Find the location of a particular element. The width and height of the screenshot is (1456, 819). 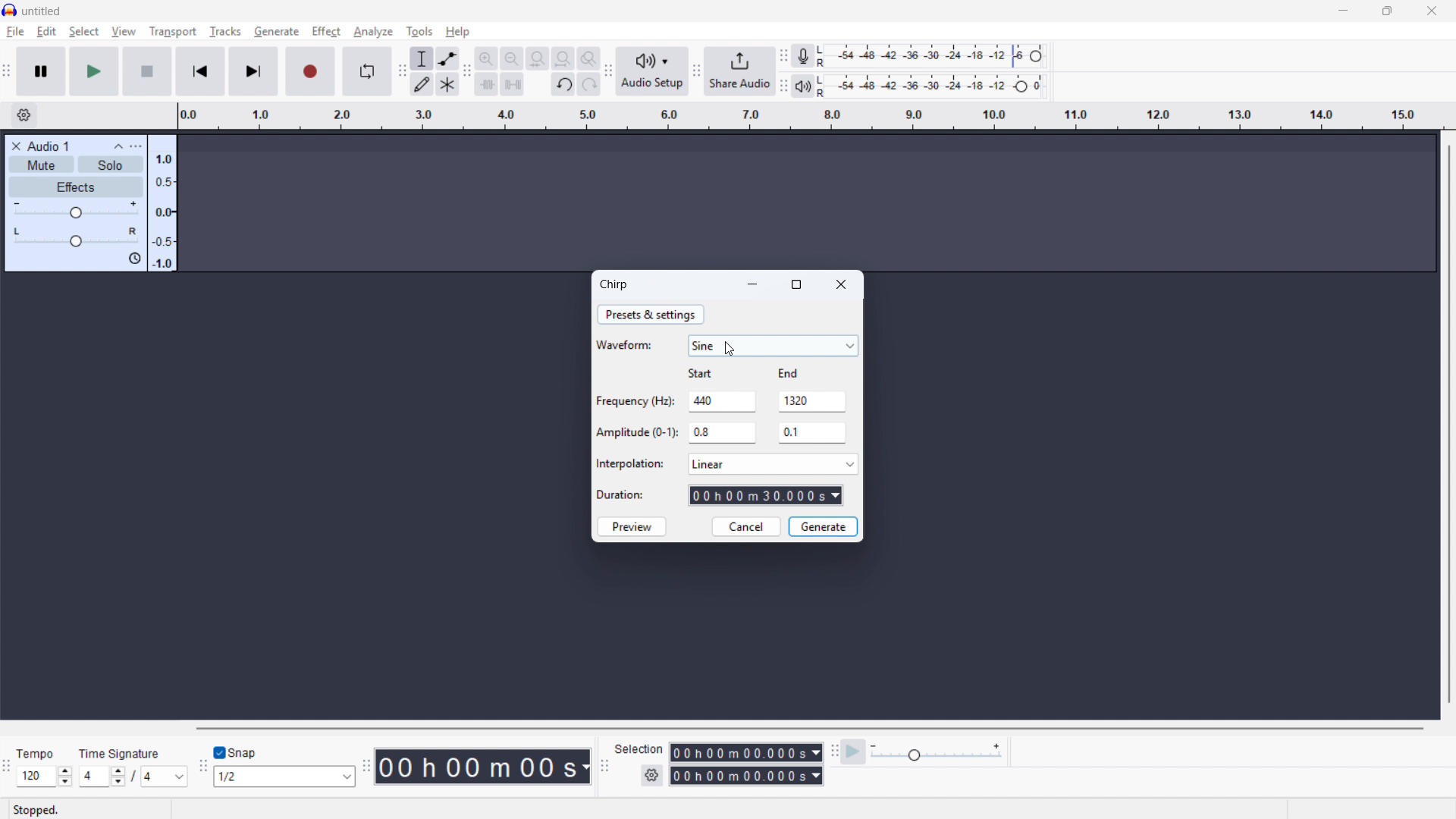

Selection tool is located at coordinates (422, 58).